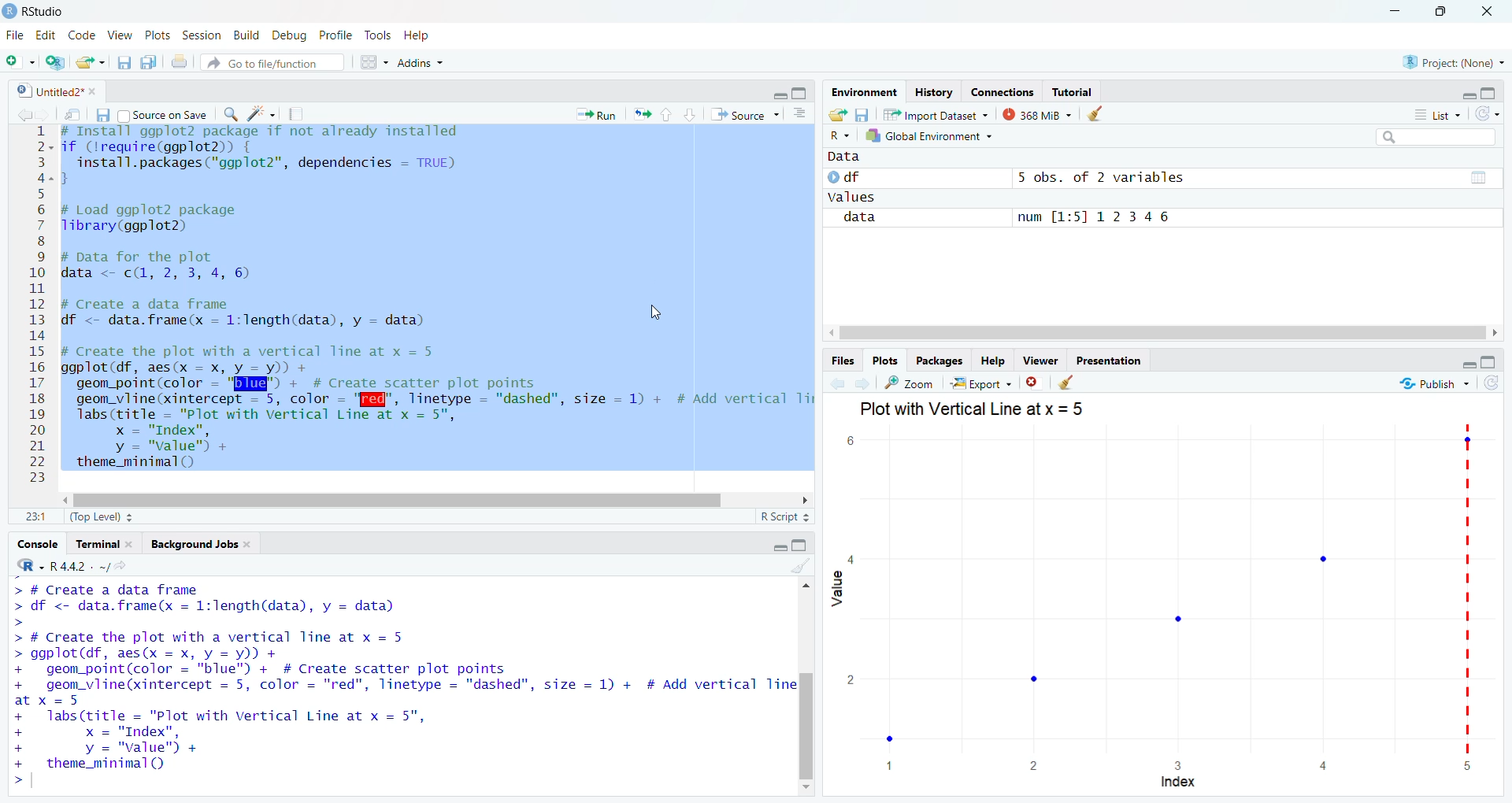 Image resolution: width=1512 pixels, height=803 pixels. What do you see at coordinates (245, 36) in the screenshot?
I see `n Build` at bounding box center [245, 36].